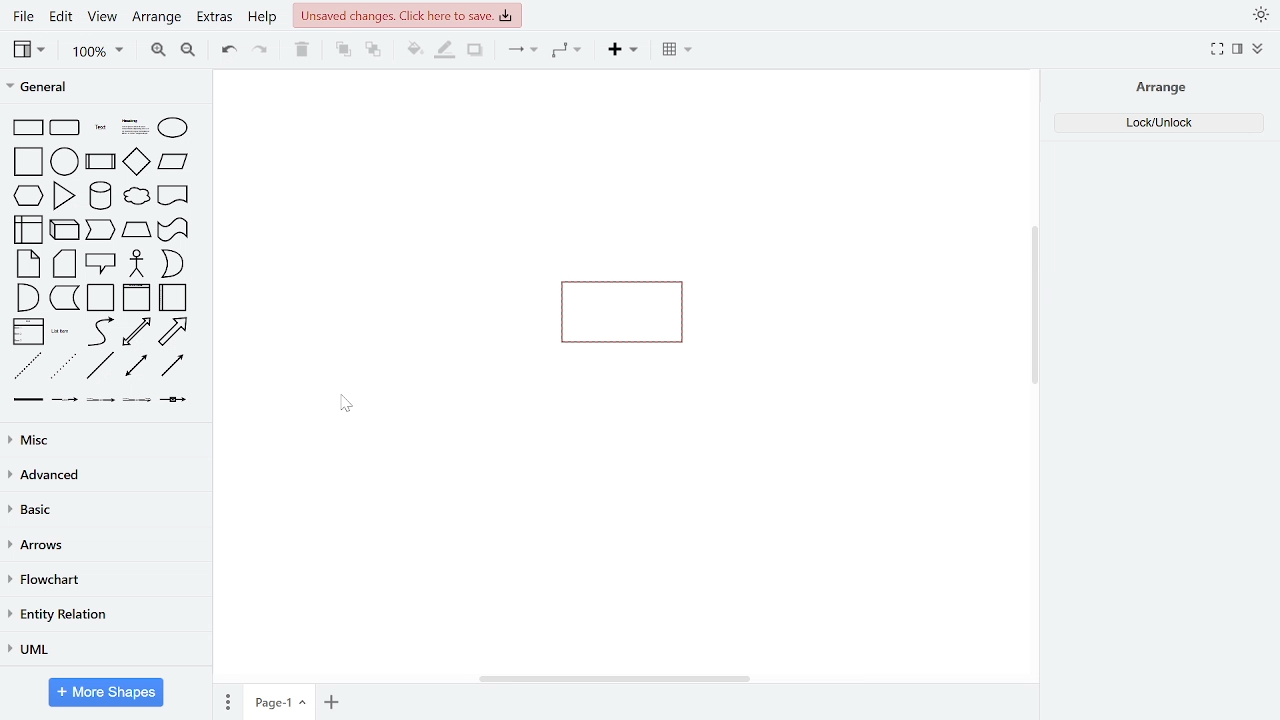  Describe the element at coordinates (64, 196) in the screenshot. I see `triangle` at that location.